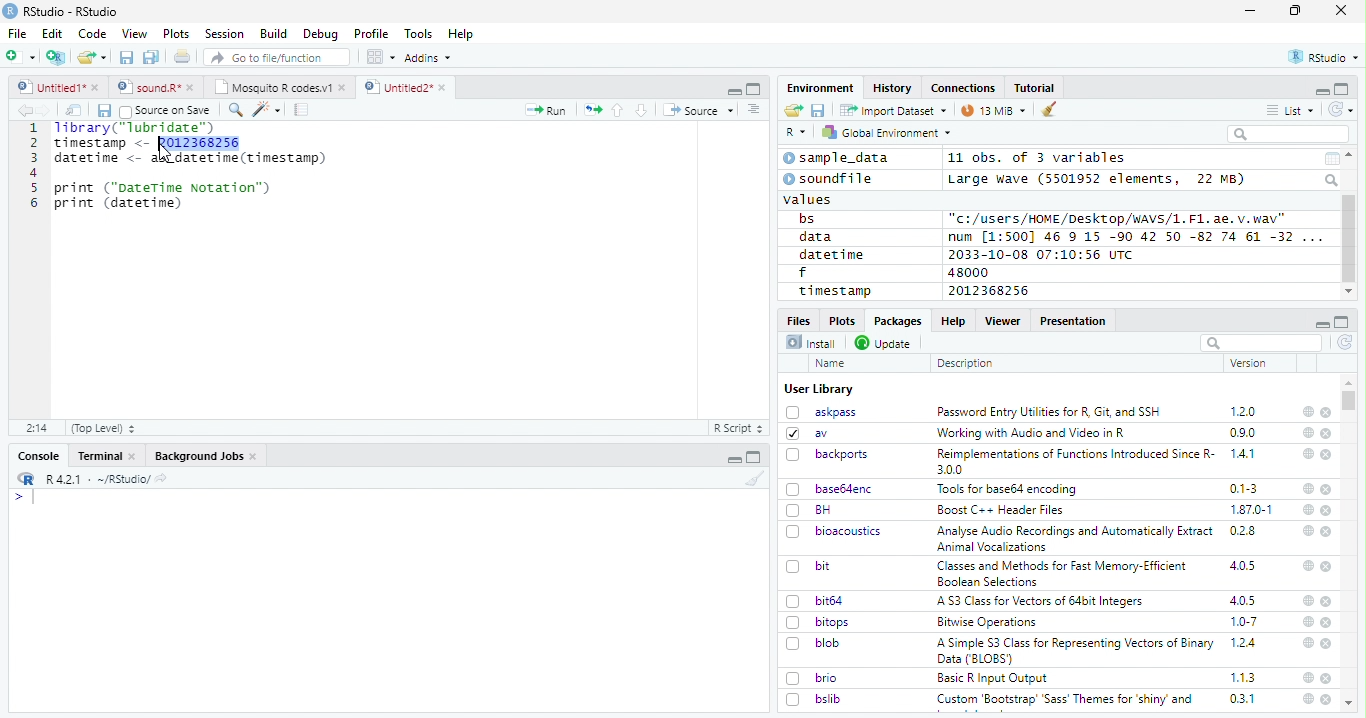 The image size is (1366, 718). What do you see at coordinates (1291, 111) in the screenshot?
I see `List` at bounding box center [1291, 111].